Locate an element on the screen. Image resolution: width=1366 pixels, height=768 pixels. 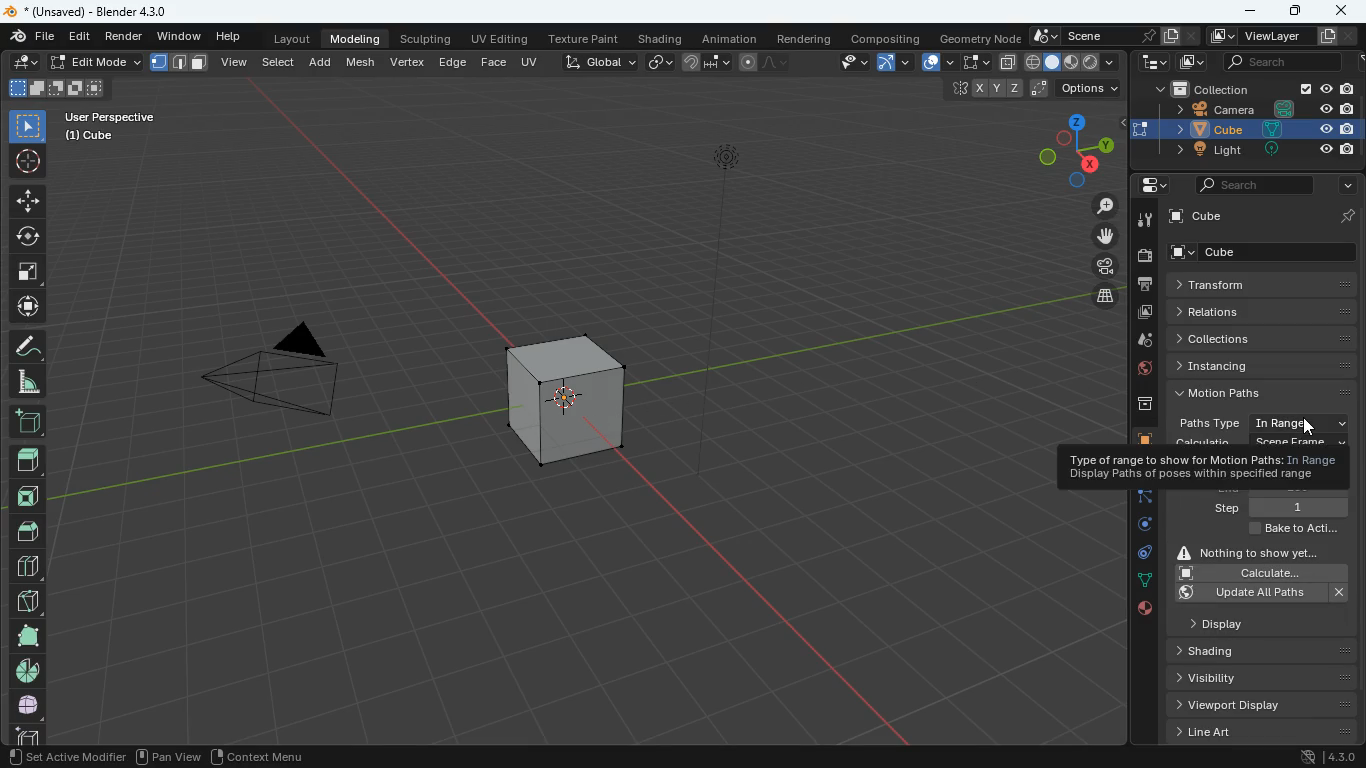
pan view is located at coordinates (169, 754).